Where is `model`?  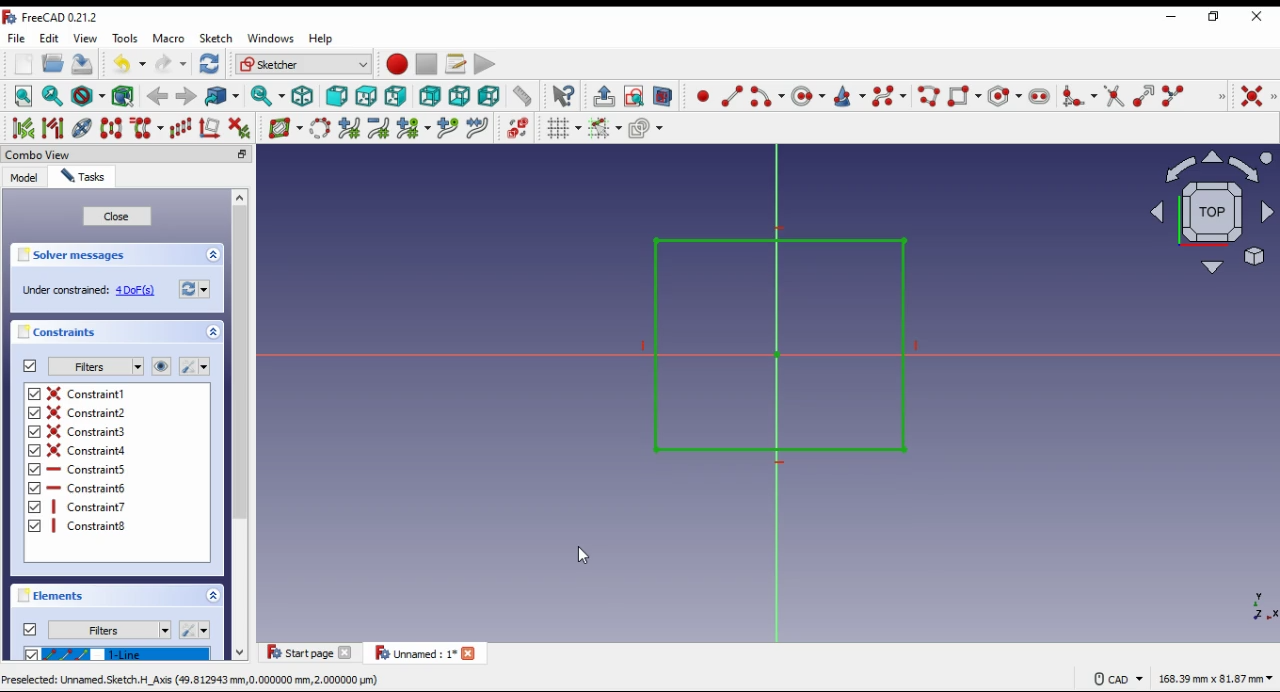
model is located at coordinates (24, 177).